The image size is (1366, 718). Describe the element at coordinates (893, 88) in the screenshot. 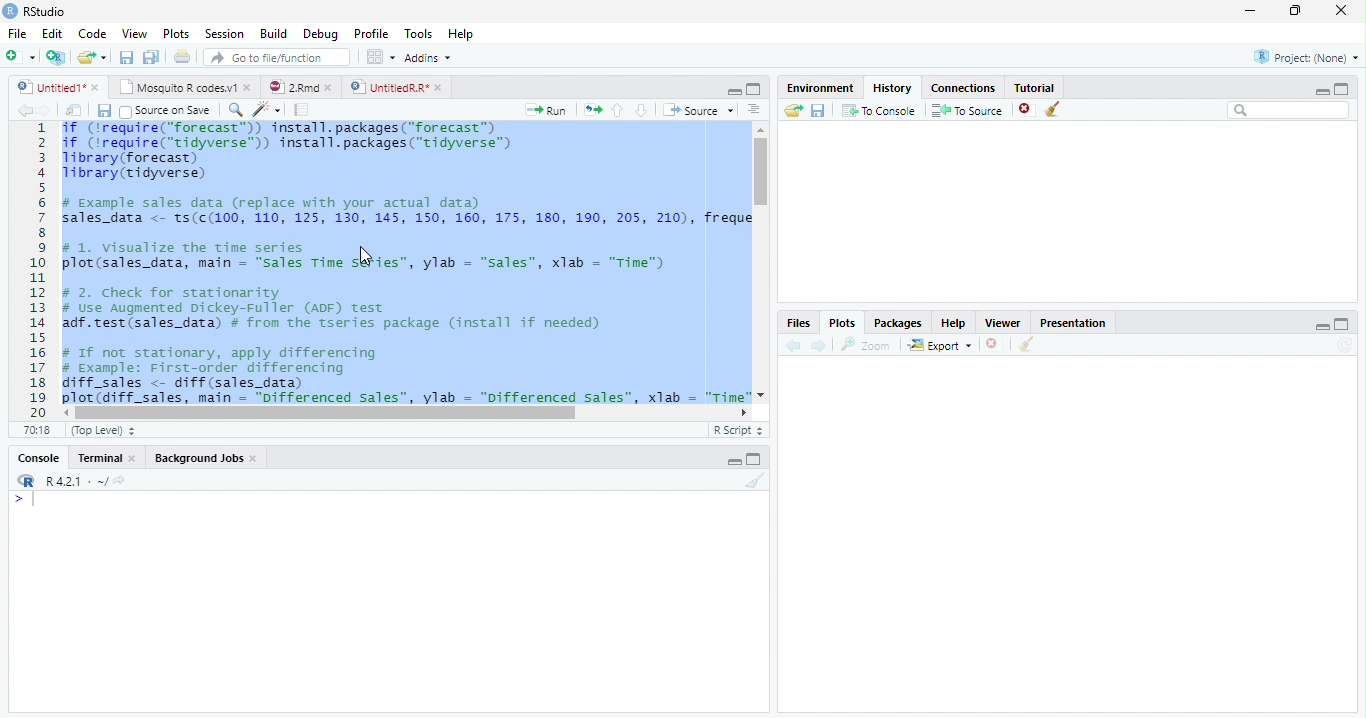

I see `History` at that location.